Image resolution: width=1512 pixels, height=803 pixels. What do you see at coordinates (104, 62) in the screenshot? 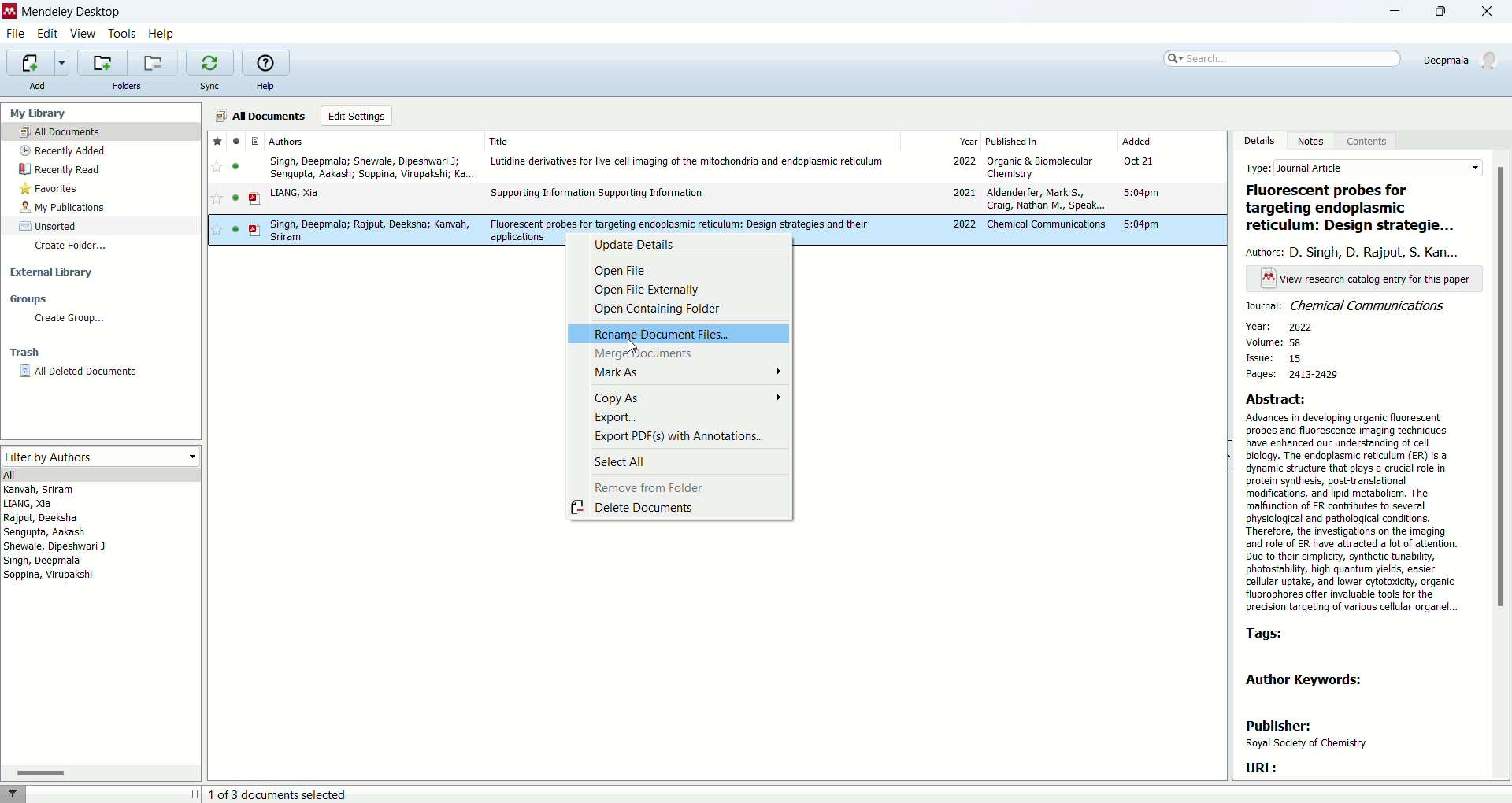
I see `create a new folder` at bounding box center [104, 62].